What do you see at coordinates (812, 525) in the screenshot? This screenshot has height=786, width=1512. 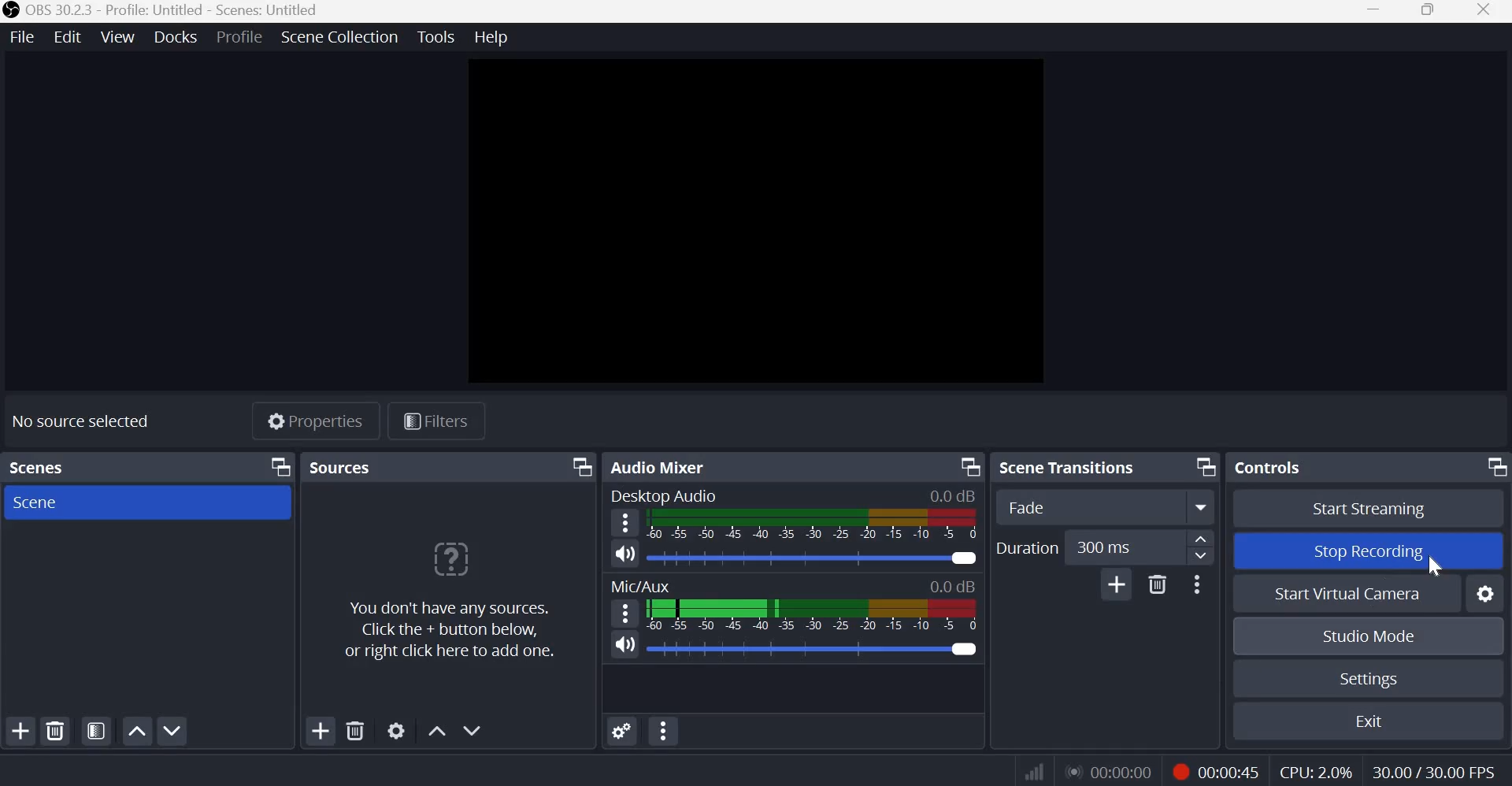 I see `Volume Meter` at bounding box center [812, 525].